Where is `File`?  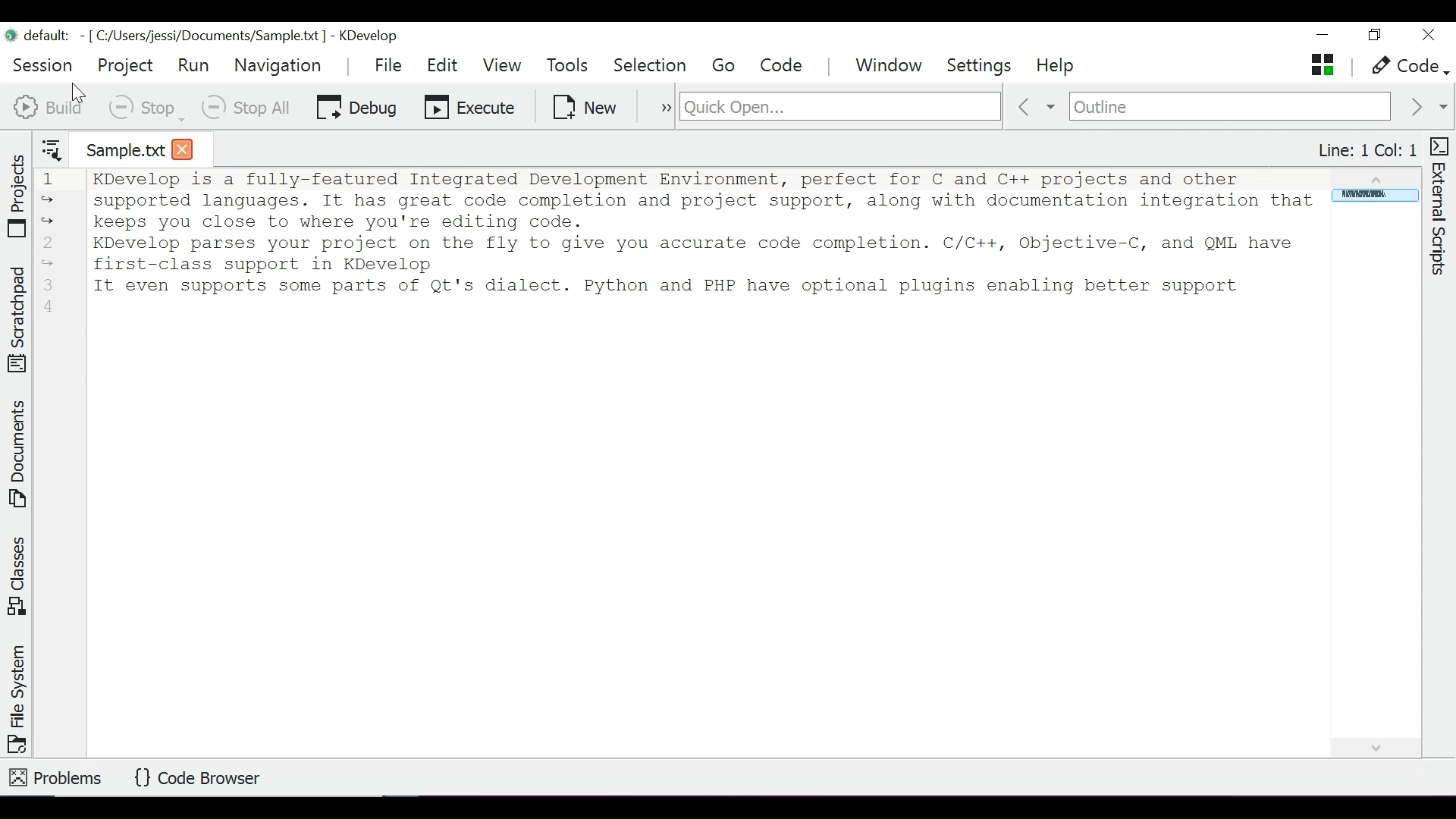
File is located at coordinates (391, 66).